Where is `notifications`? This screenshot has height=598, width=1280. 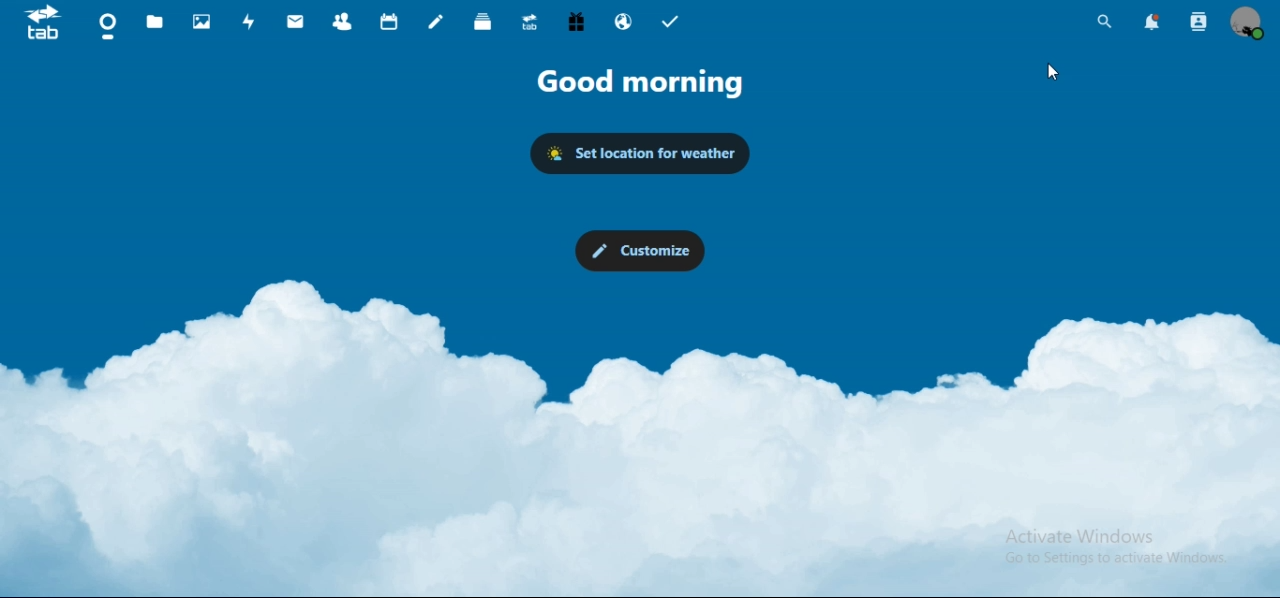
notifications is located at coordinates (1149, 22).